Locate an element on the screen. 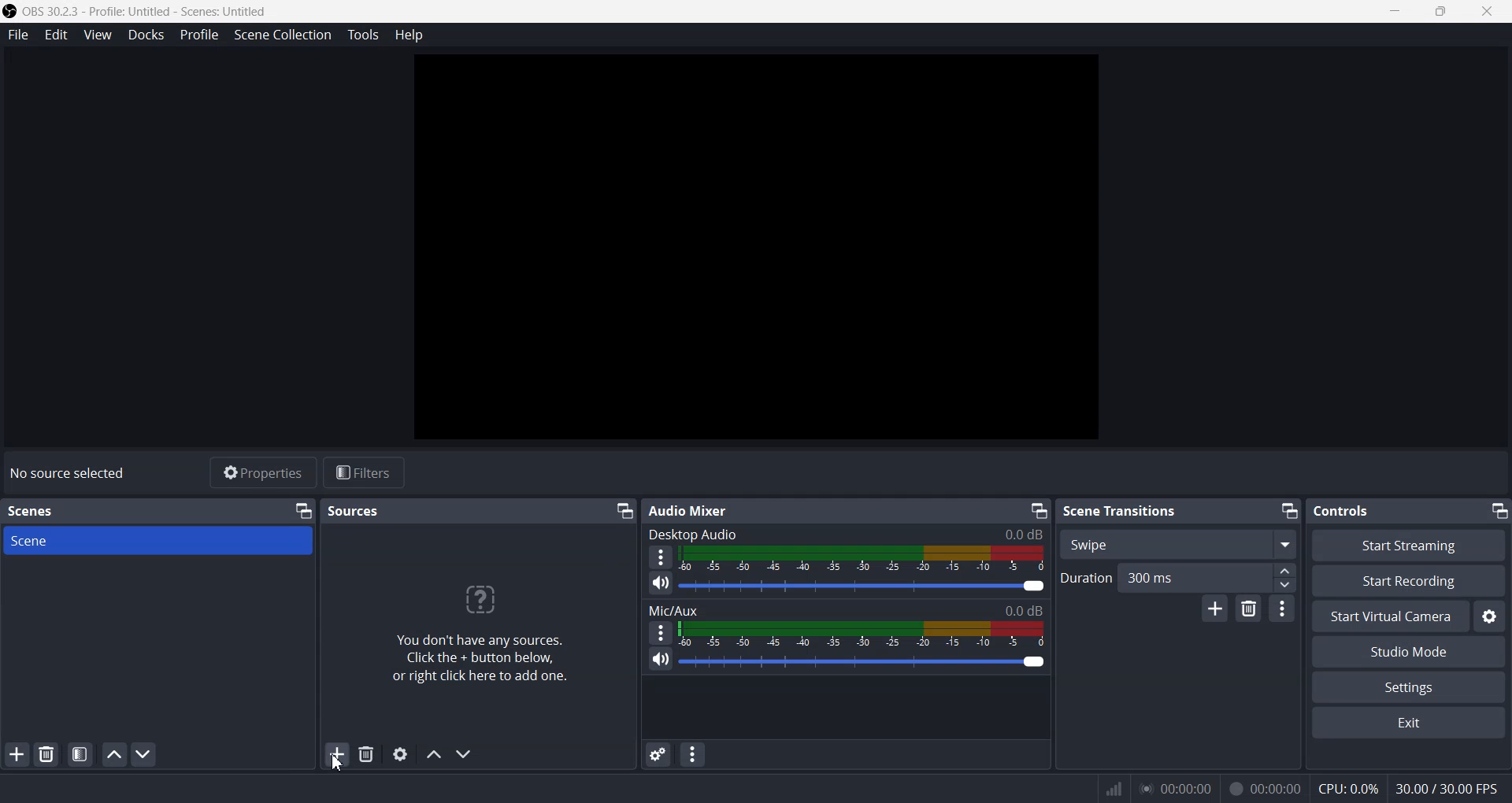 This screenshot has height=803, width=1512. More is located at coordinates (661, 632).